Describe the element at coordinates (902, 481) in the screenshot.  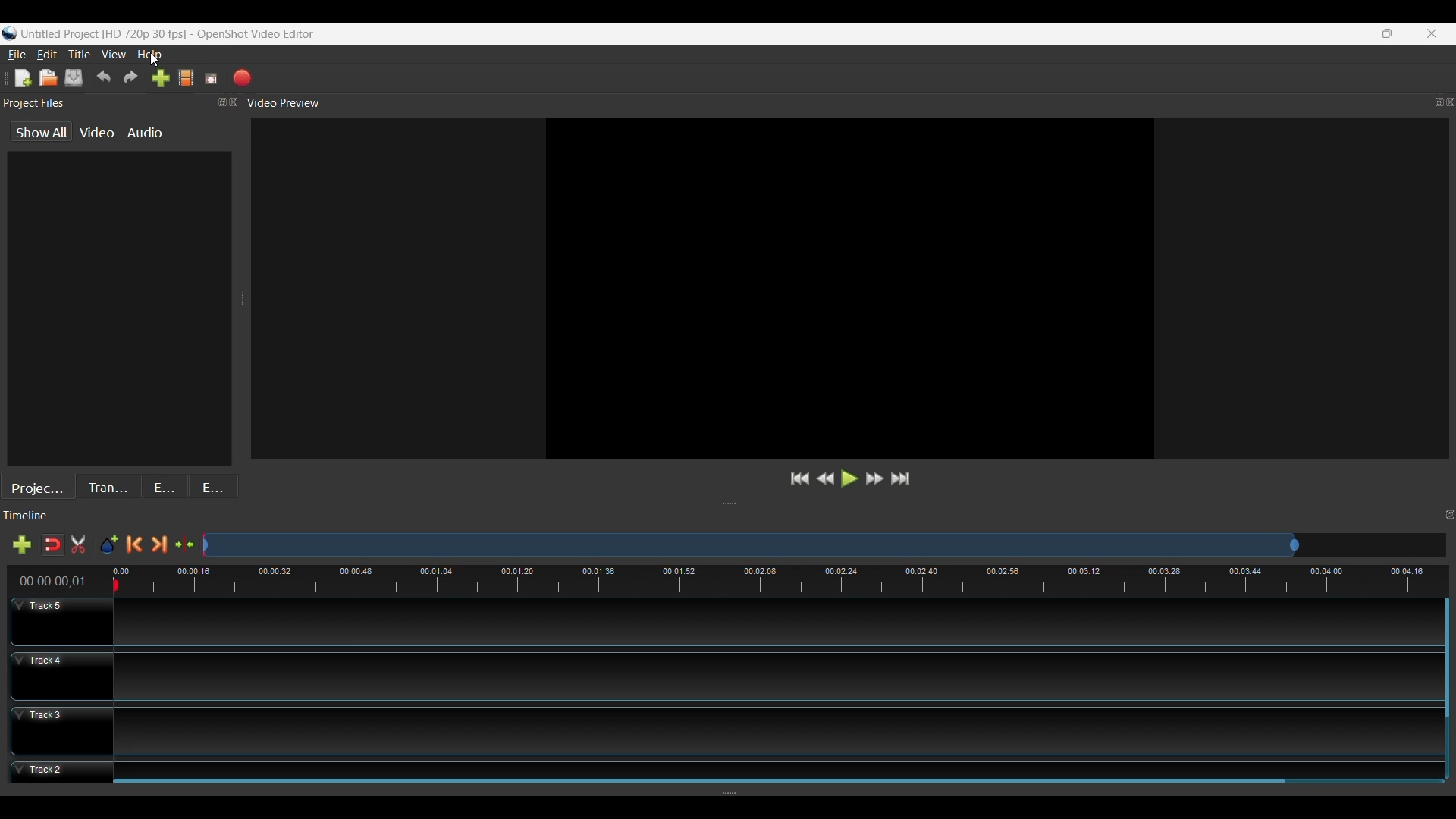
I see `Jump to End` at that location.